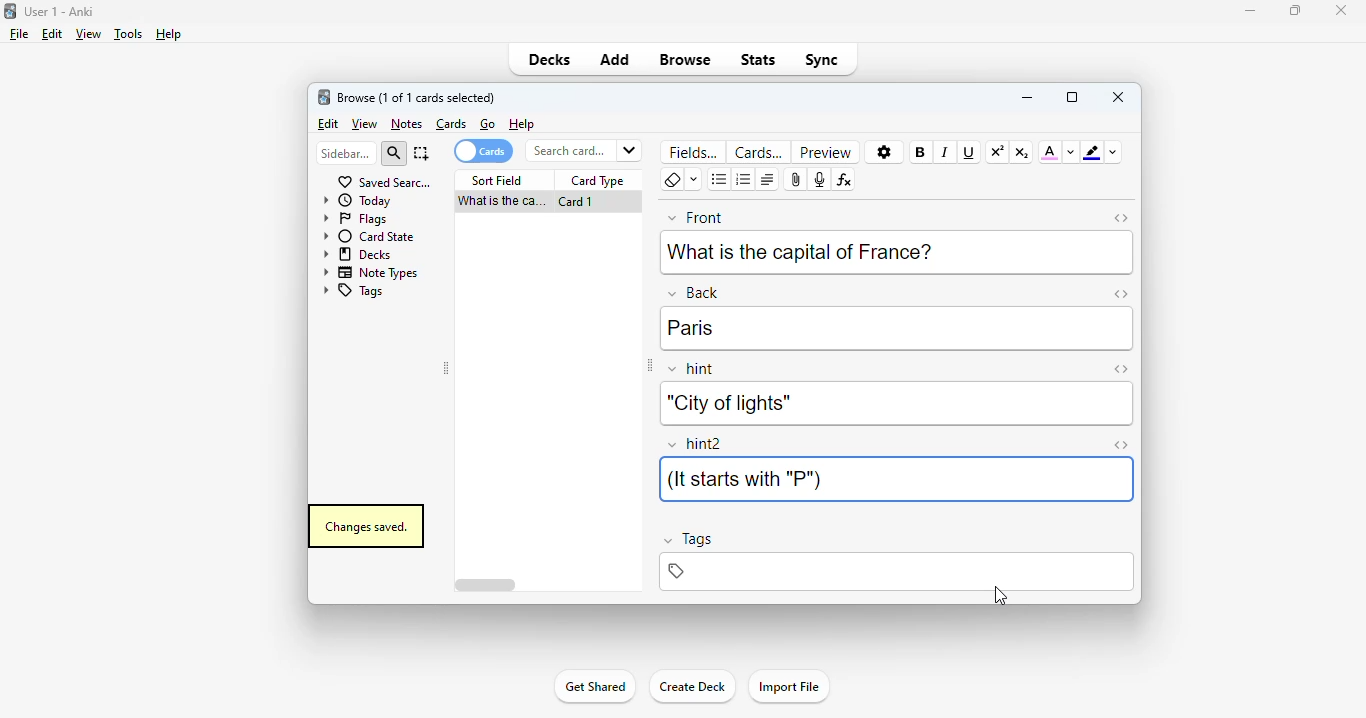  I want to click on hint, so click(692, 370).